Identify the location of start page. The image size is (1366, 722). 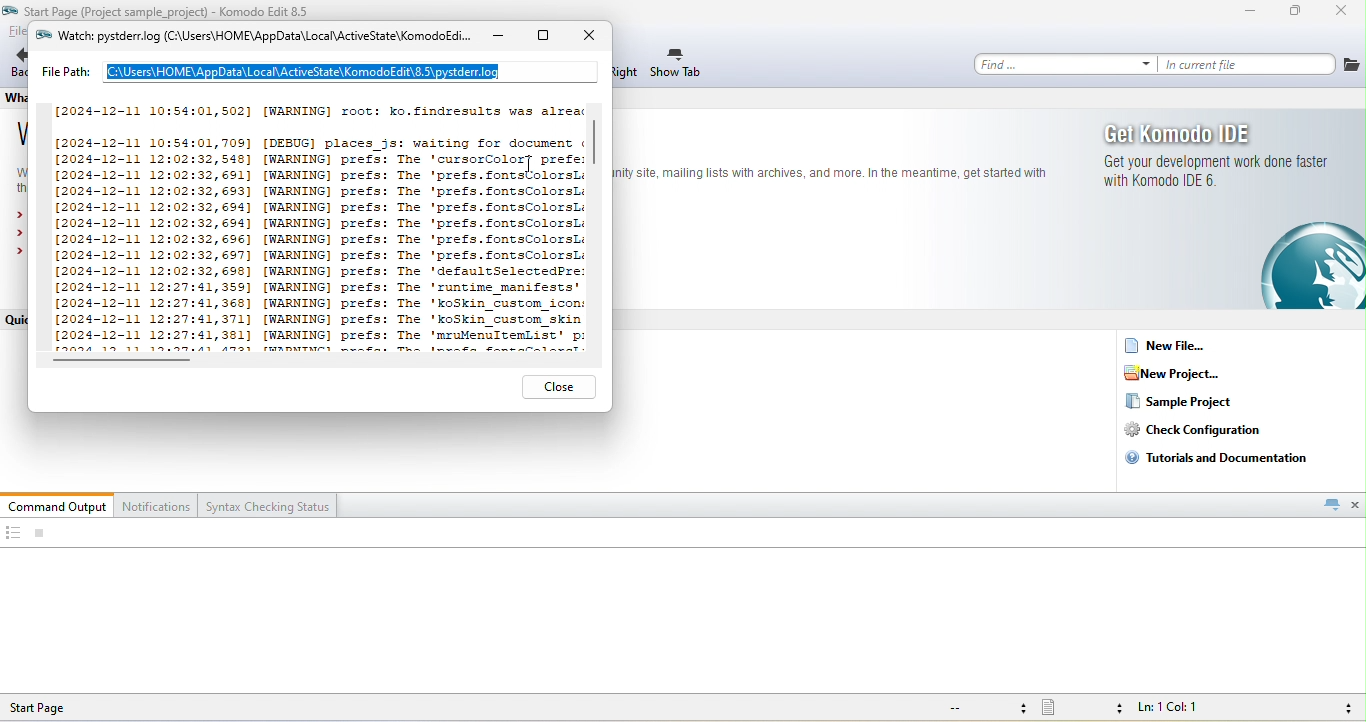
(55, 707).